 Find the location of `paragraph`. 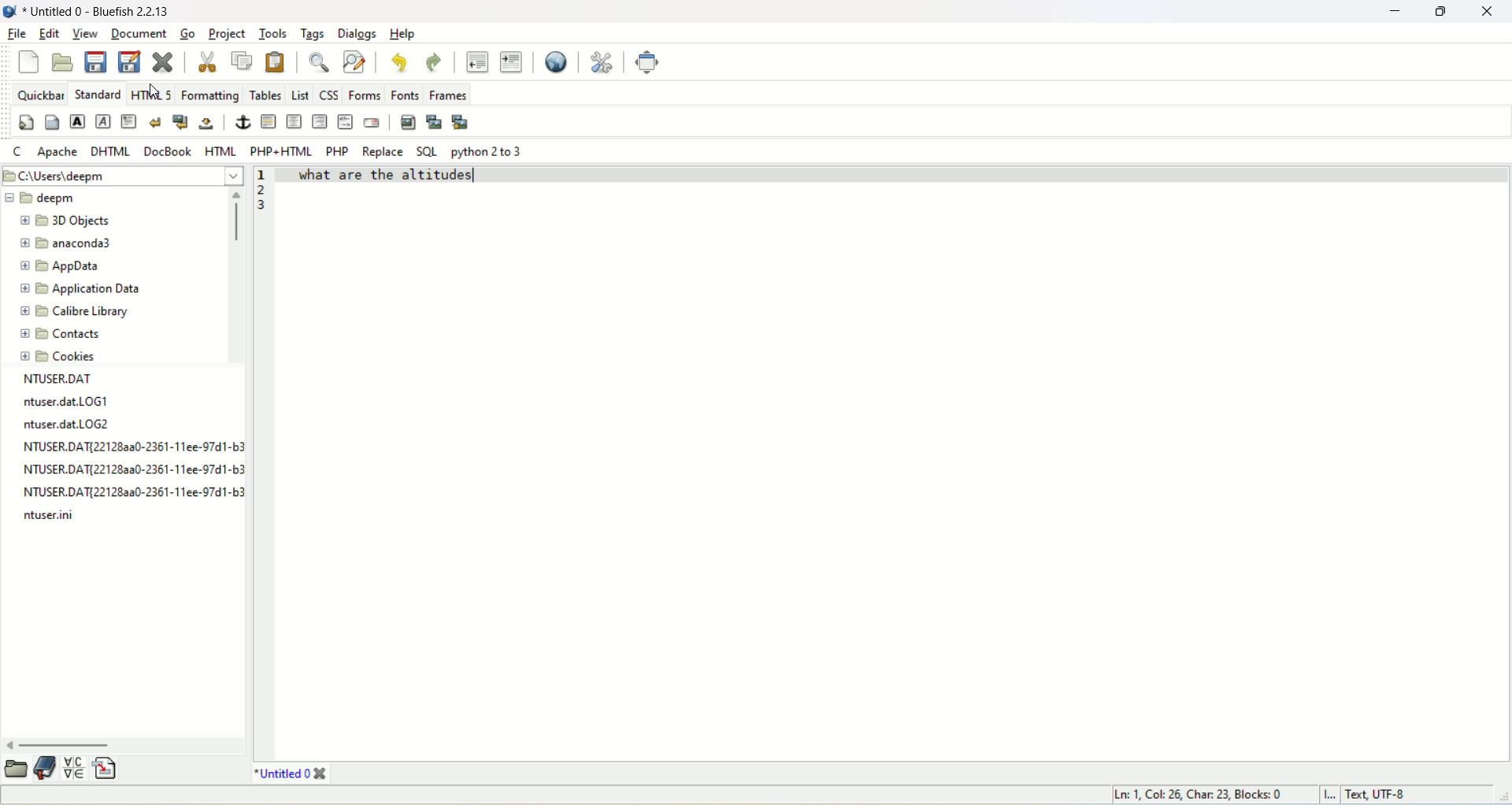

paragraph is located at coordinates (128, 121).